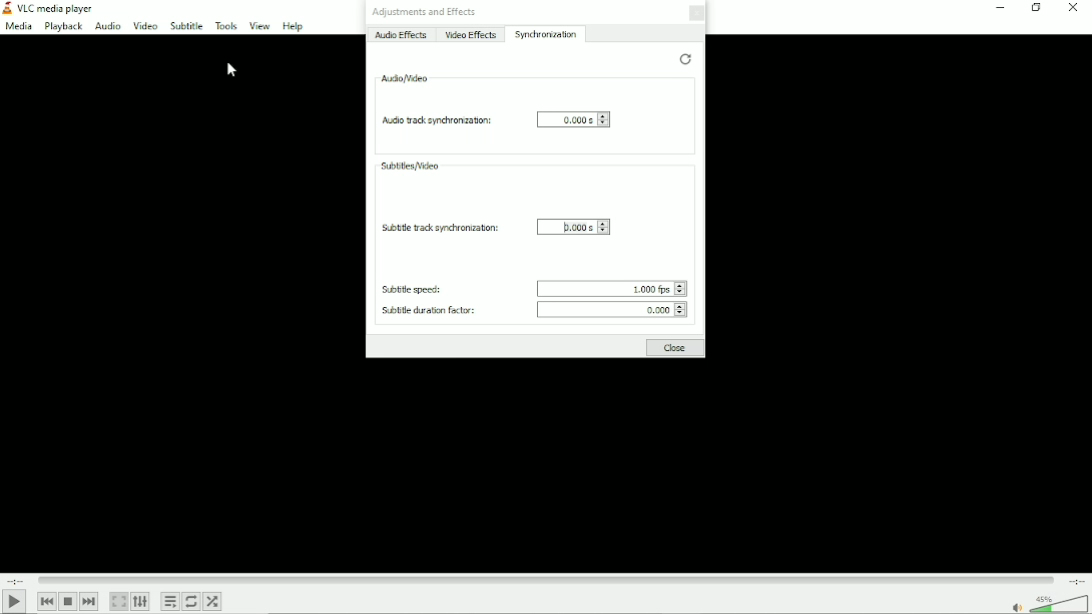  What do you see at coordinates (687, 60) in the screenshot?
I see `Restore` at bounding box center [687, 60].